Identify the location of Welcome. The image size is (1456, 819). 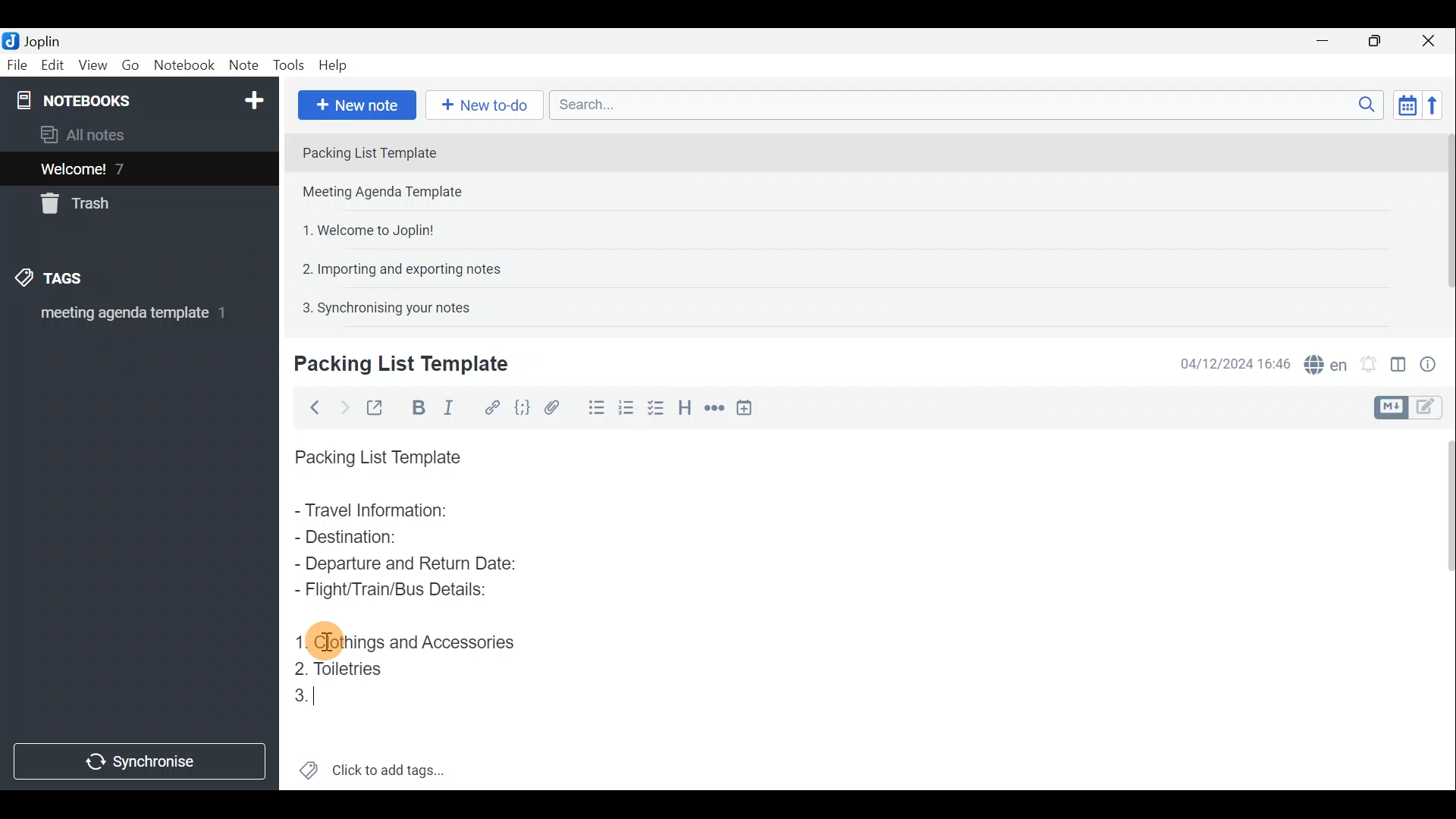
(116, 168).